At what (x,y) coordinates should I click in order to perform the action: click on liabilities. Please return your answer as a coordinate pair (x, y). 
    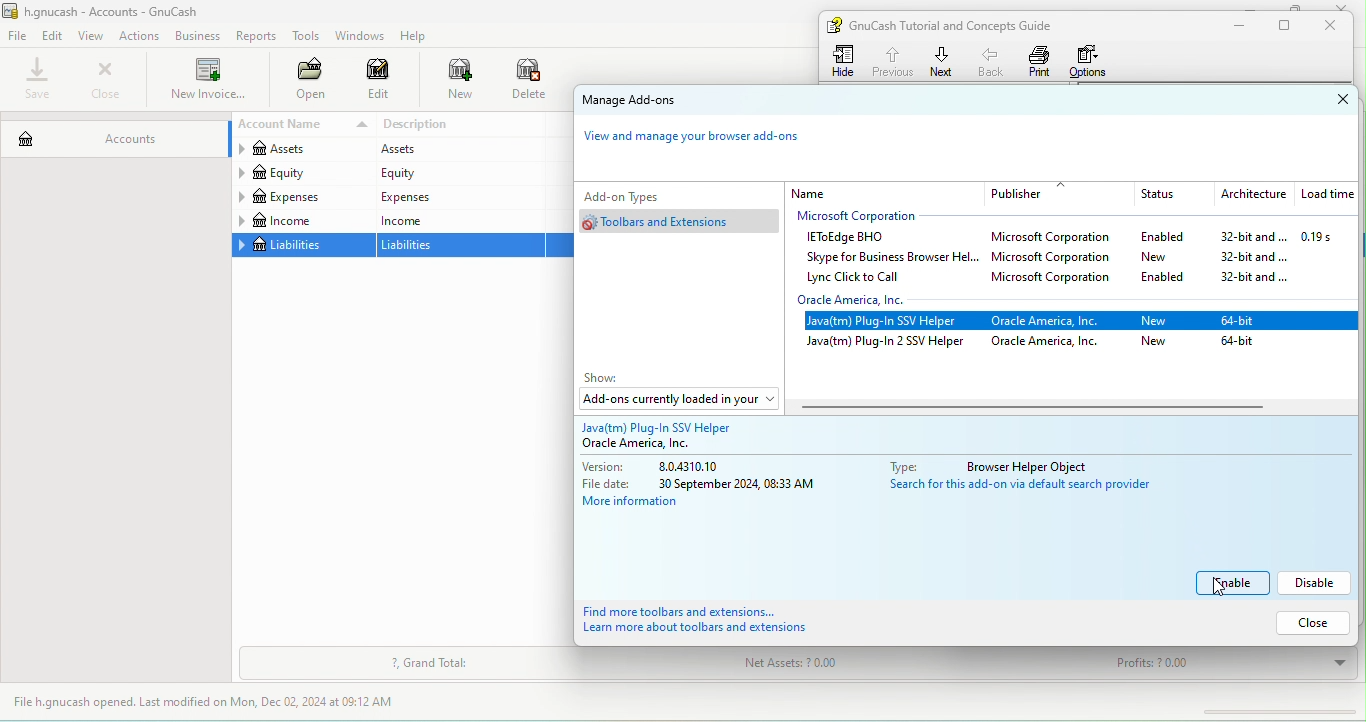
    Looking at the image, I should click on (302, 246).